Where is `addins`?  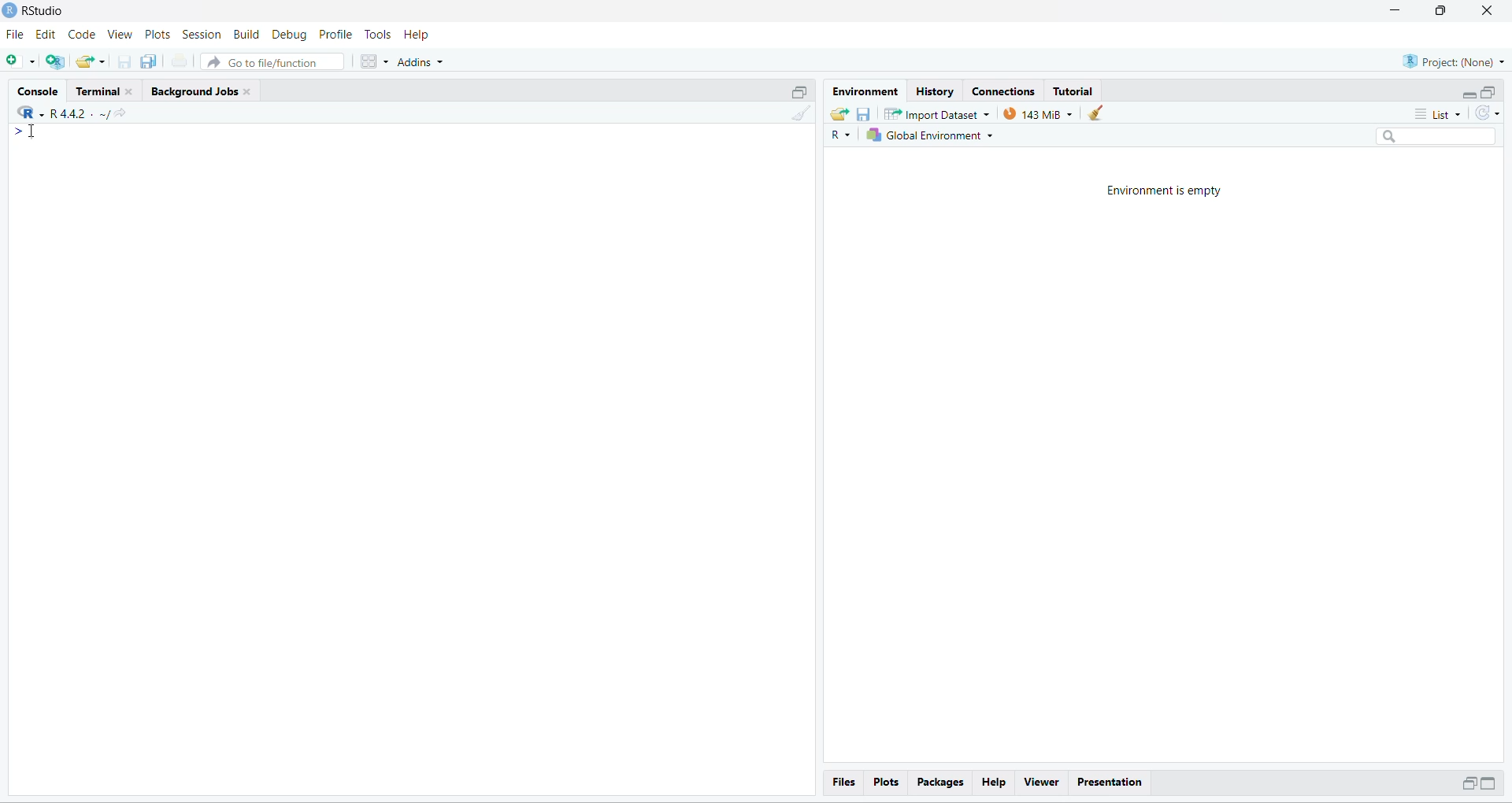 addins is located at coordinates (423, 62).